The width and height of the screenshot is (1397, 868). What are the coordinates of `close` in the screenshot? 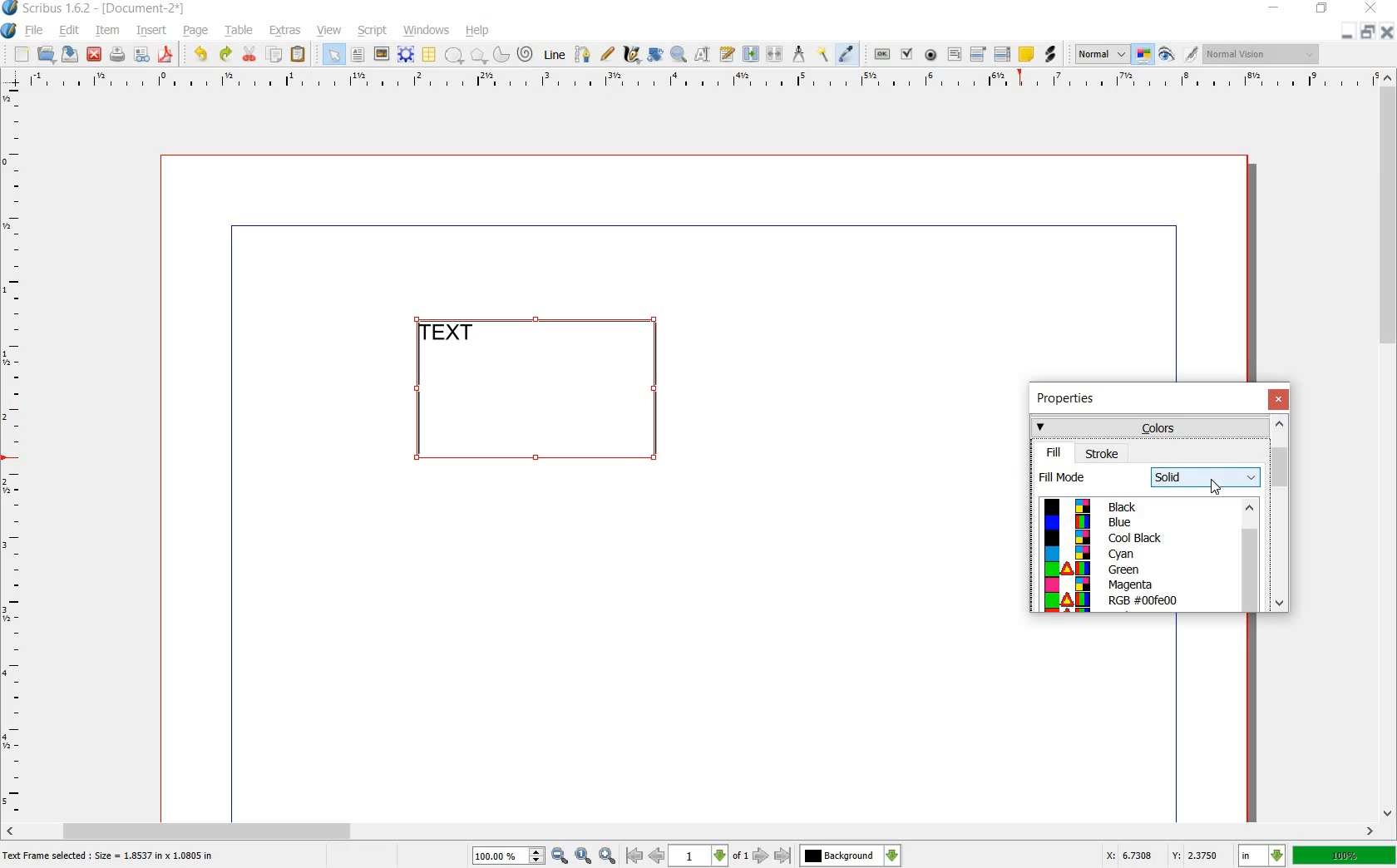 It's located at (1374, 7).